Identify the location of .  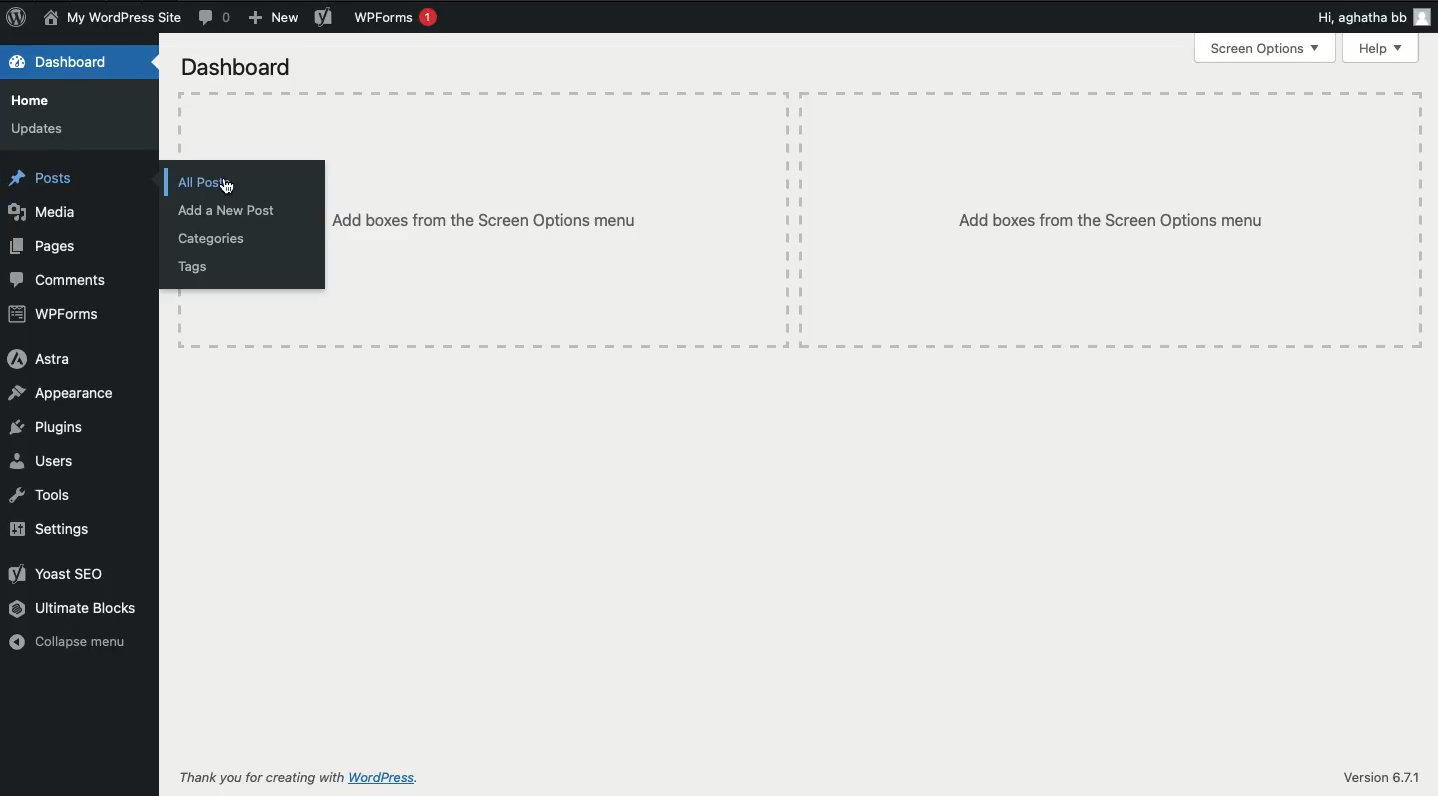
(557, 219).